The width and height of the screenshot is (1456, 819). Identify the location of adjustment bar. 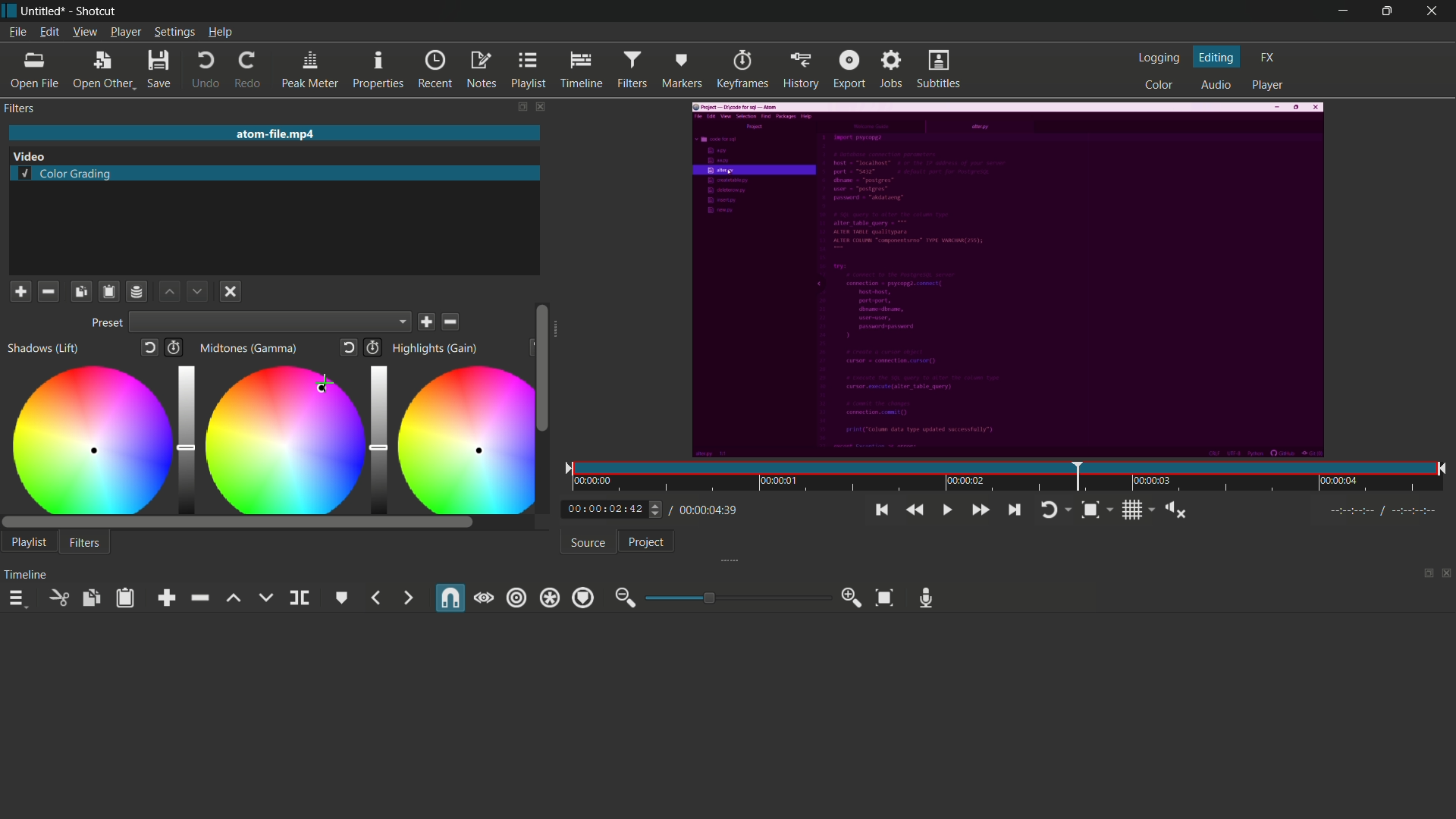
(375, 436).